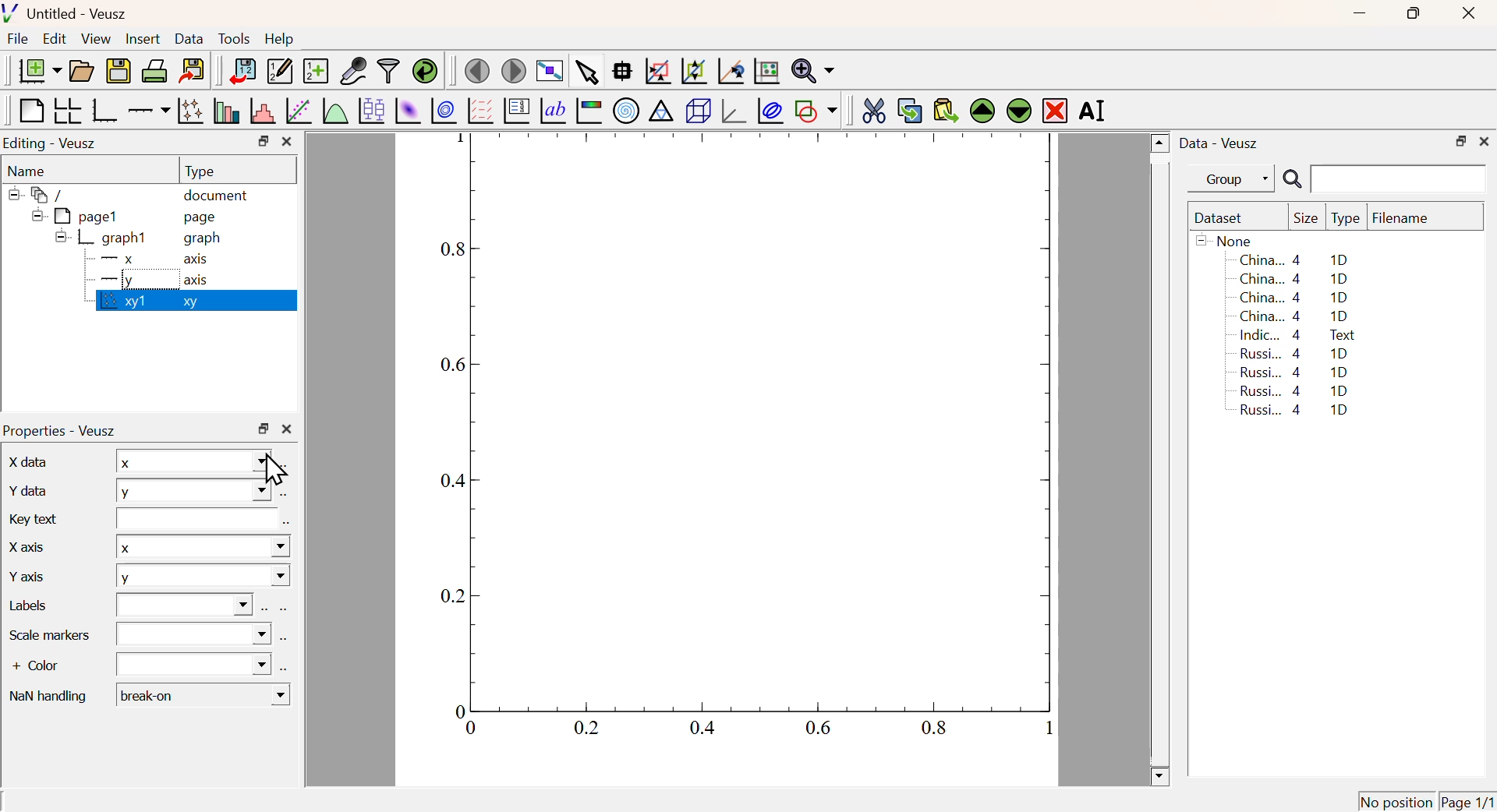 The image size is (1497, 812). What do you see at coordinates (147, 280) in the screenshot?
I see `y axis` at bounding box center [147, 280].